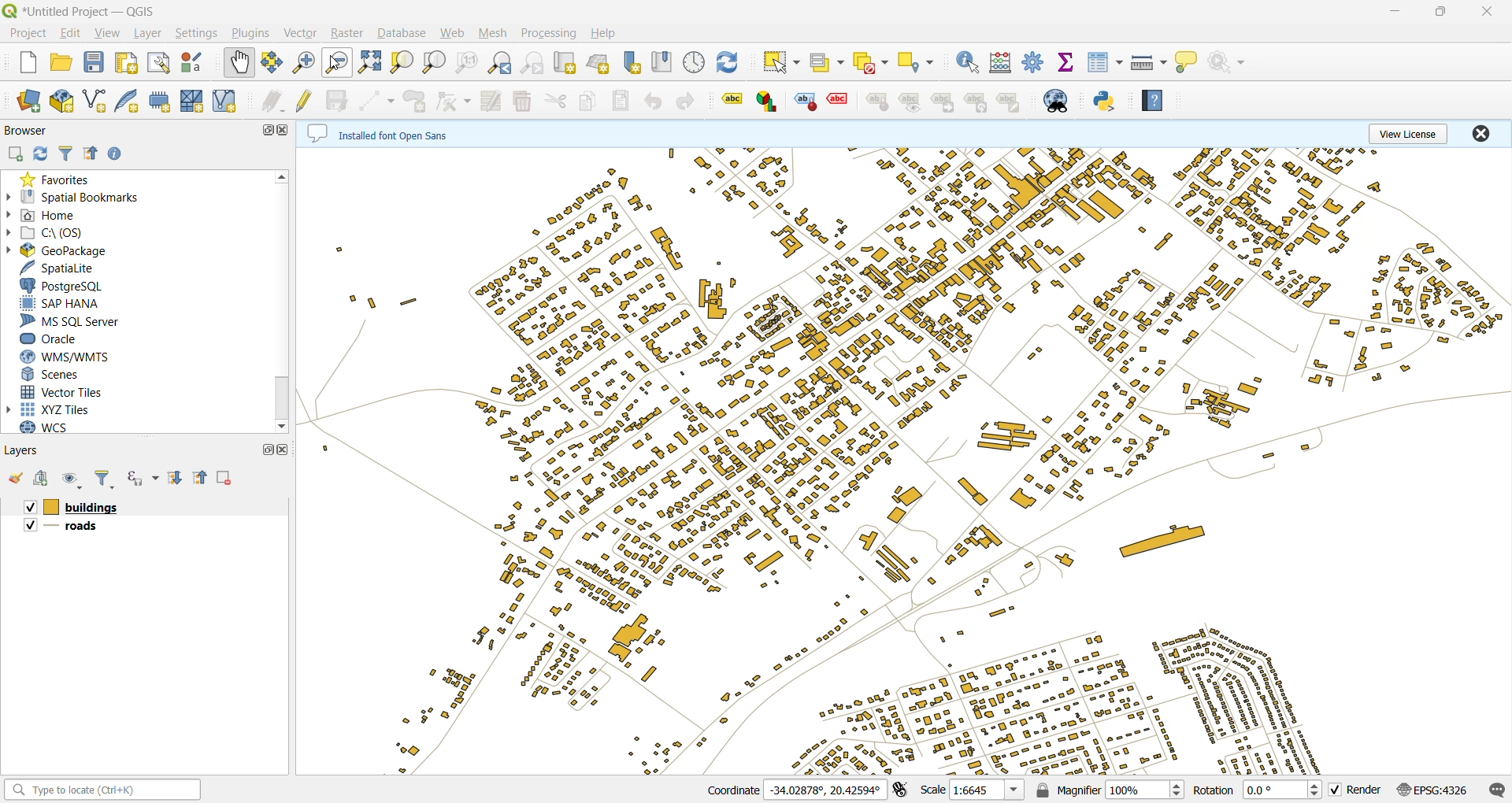 The image size is (1512, 803). I want to click on label, so click(839, 99).